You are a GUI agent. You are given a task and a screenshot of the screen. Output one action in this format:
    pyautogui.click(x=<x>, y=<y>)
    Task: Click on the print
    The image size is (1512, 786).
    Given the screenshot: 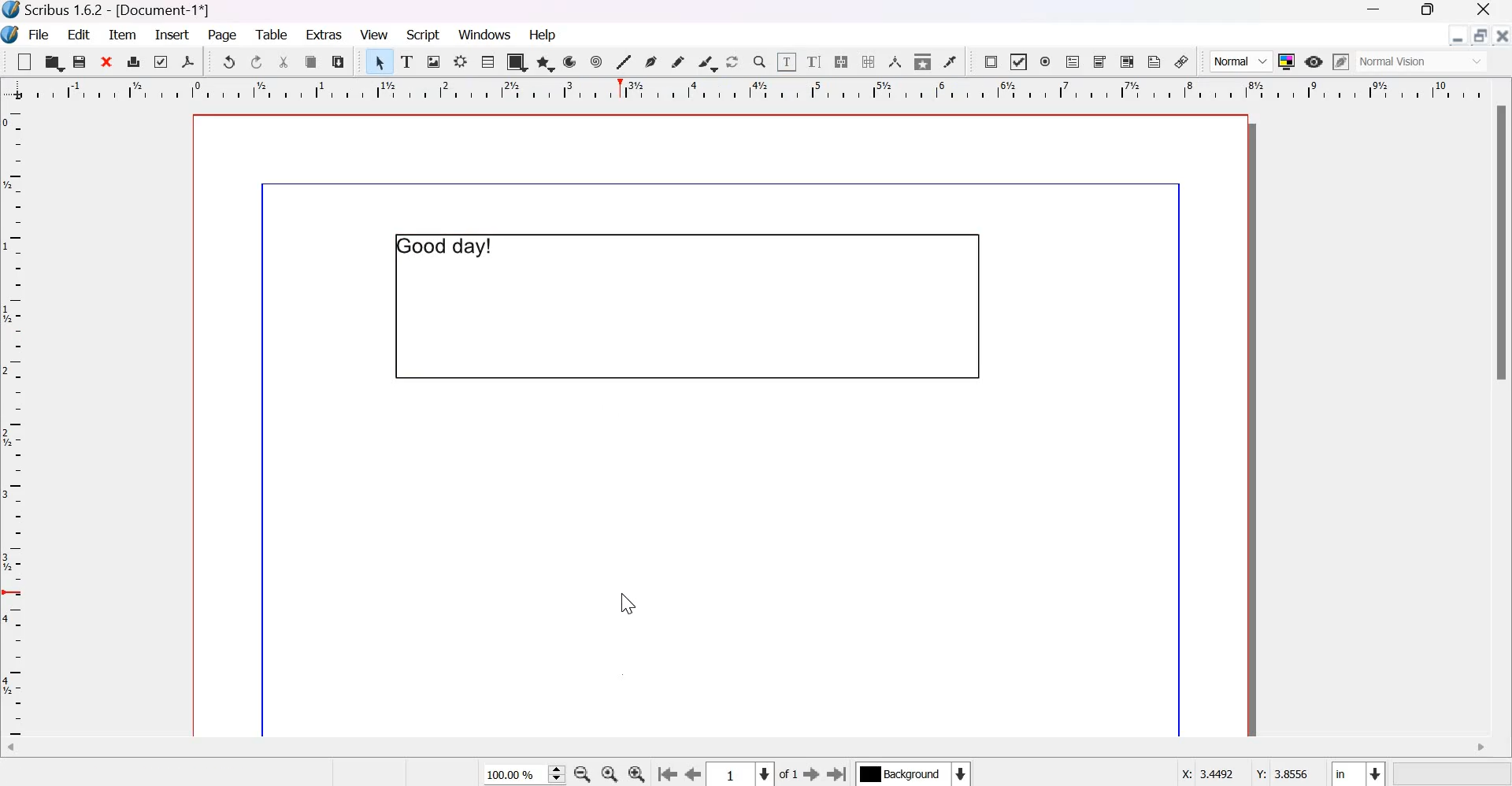 What is the action you would take?
    pyautogui.click(x=134, y=61)
    